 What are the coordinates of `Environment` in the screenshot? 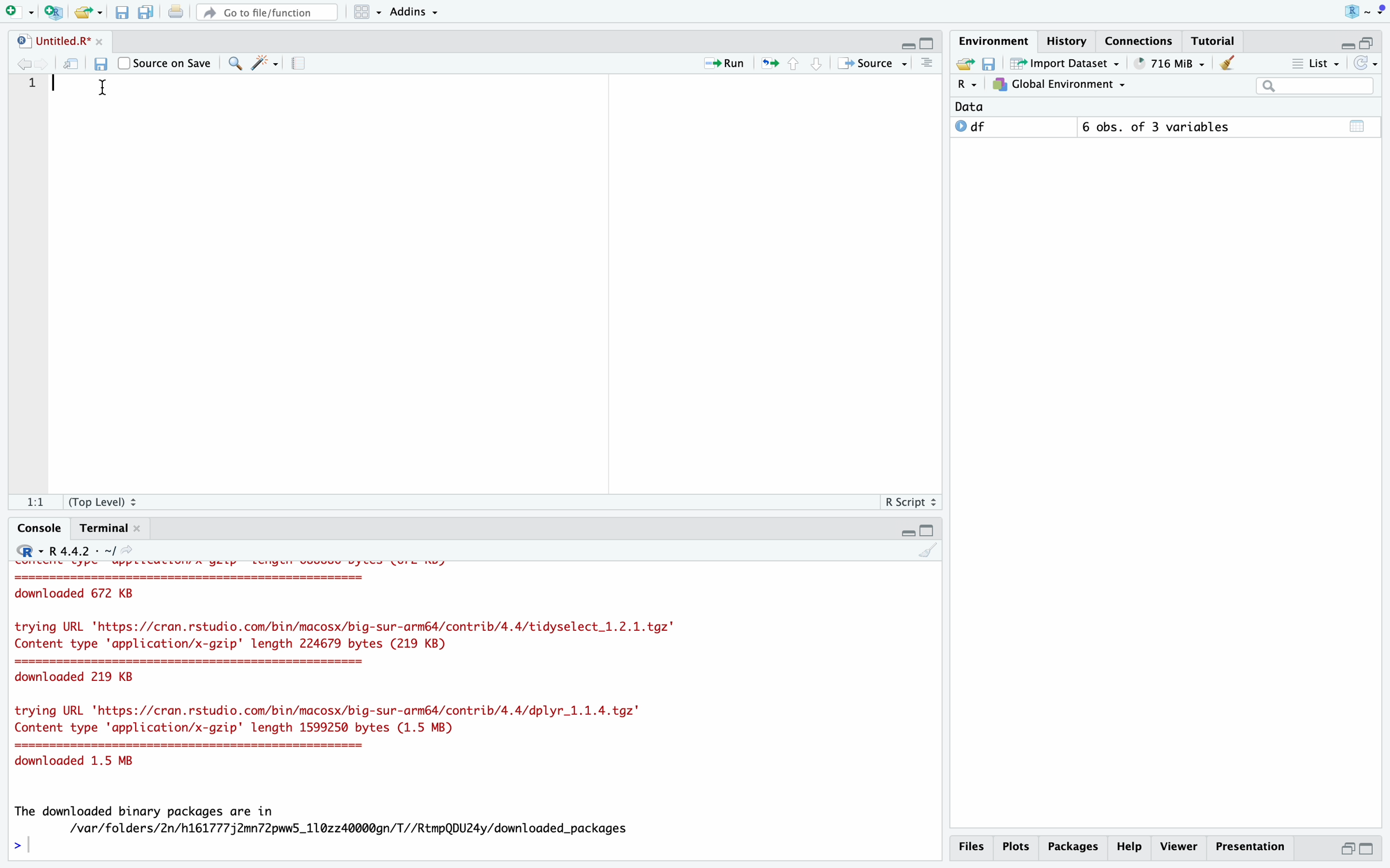 It's located at (994, 40).